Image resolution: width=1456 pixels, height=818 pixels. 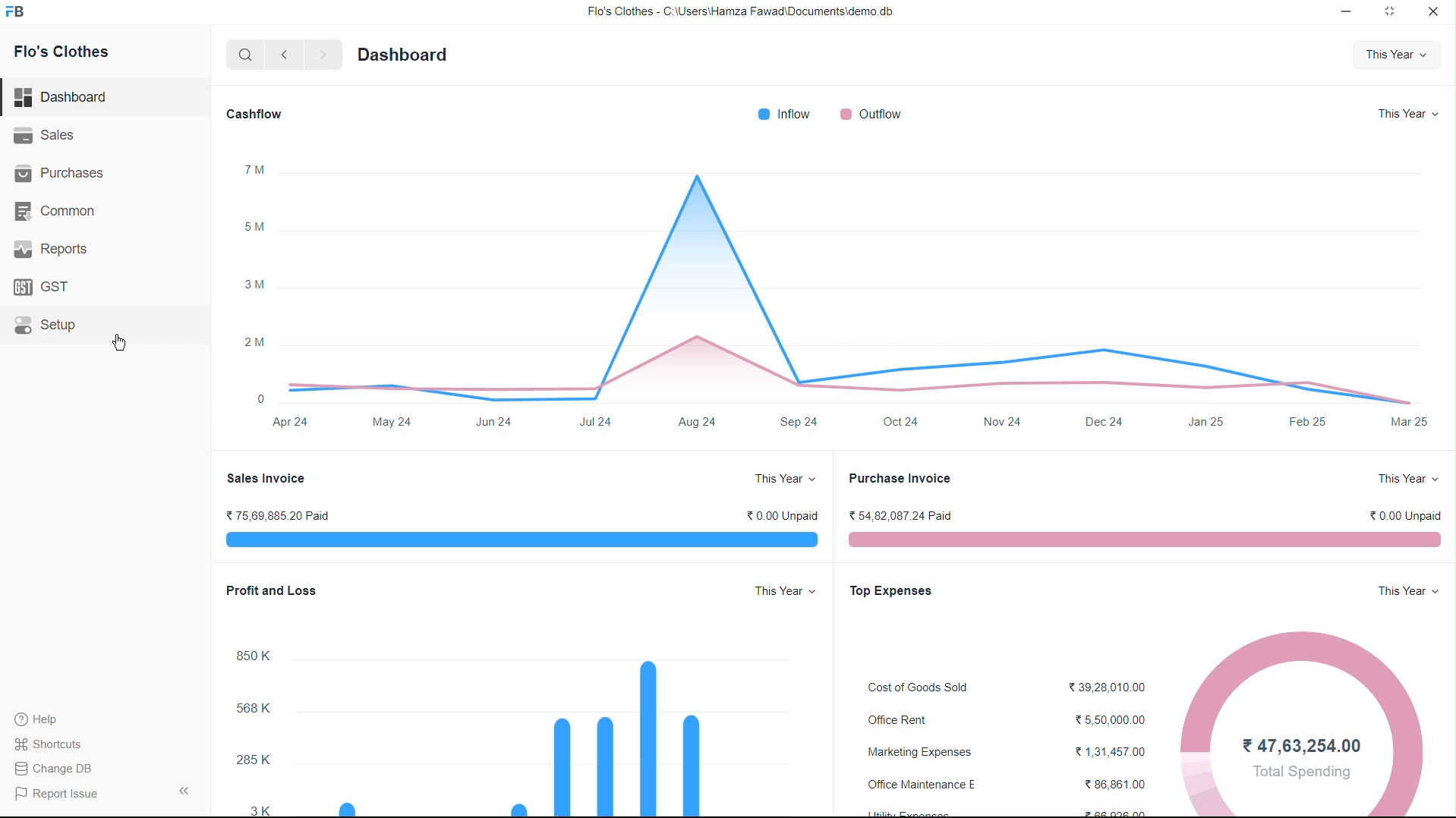 I want to click on Graph, so click(x=518, y=543).